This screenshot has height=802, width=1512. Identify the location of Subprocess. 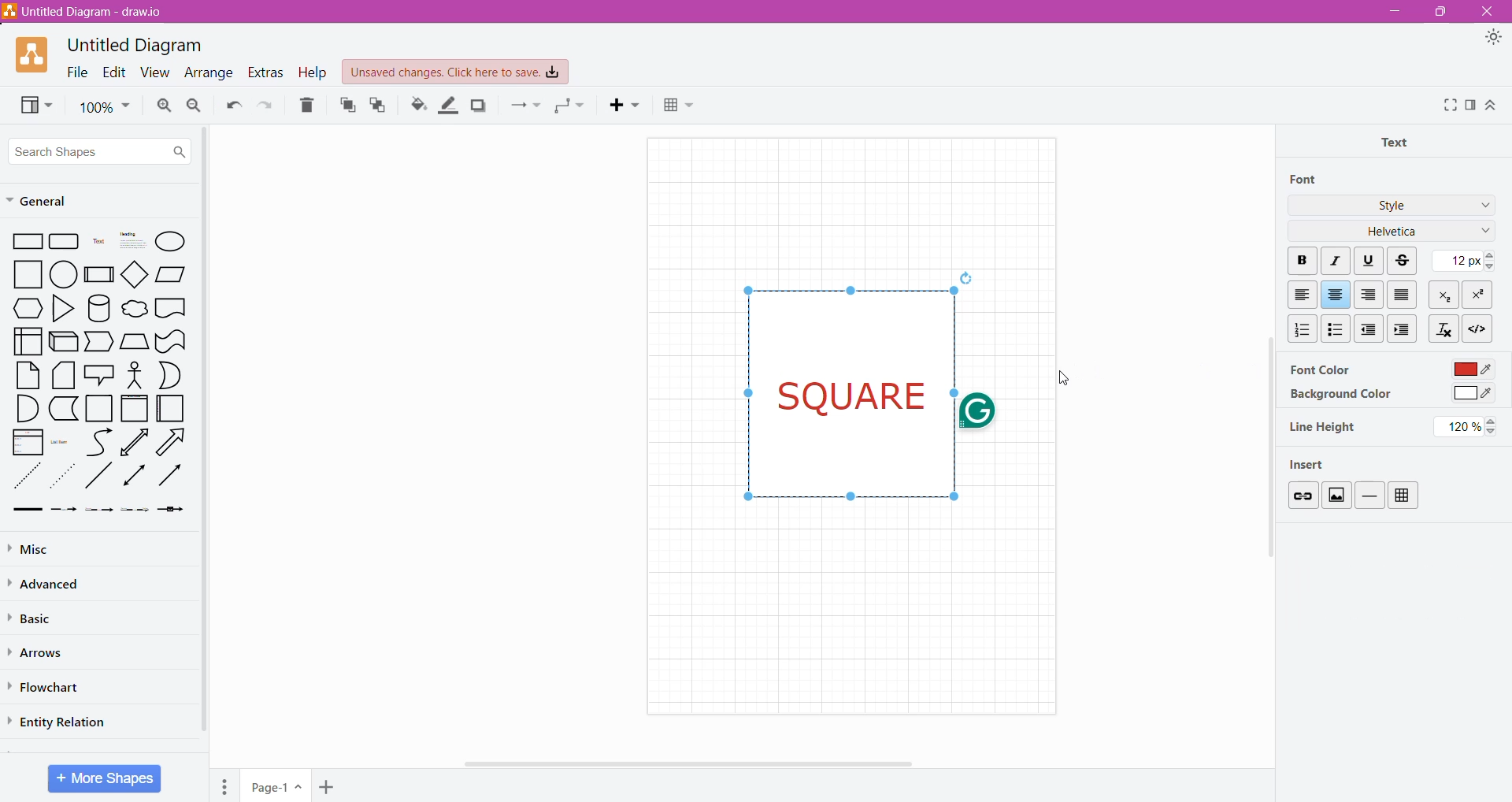
(99, 273).